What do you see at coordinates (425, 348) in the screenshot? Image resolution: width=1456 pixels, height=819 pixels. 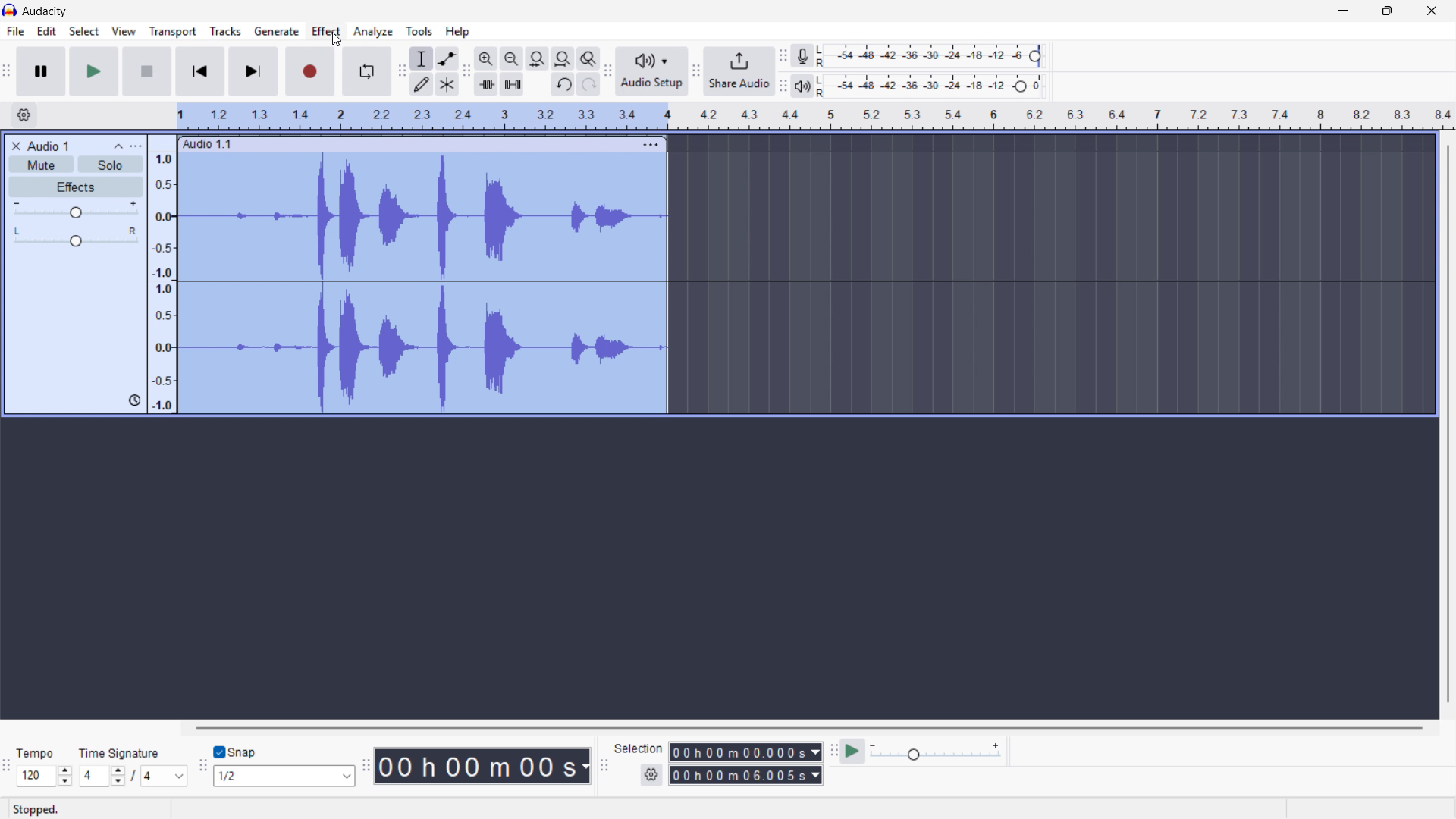 I see `Track selected` at bounding box center [425, 348].